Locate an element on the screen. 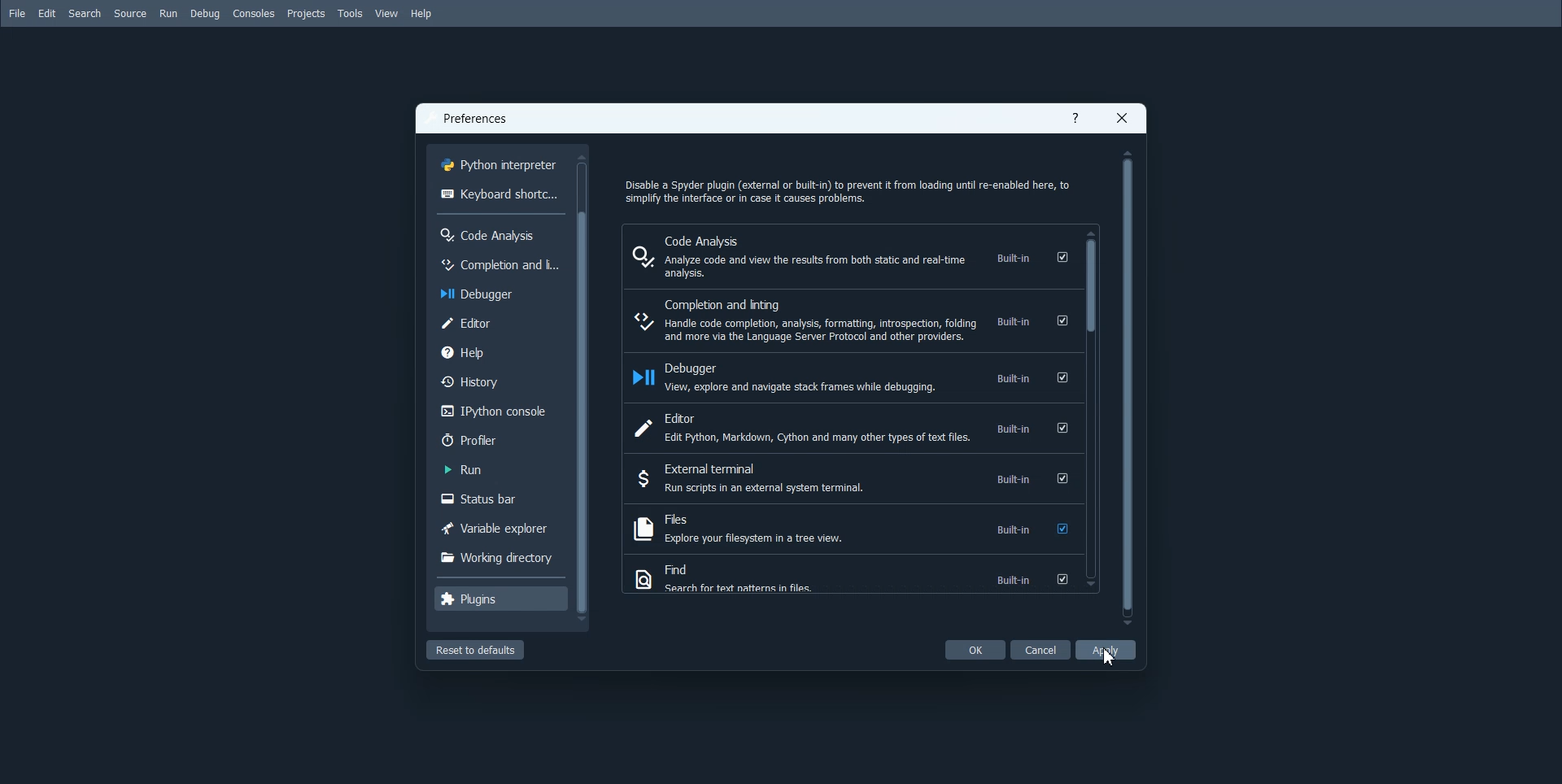 Image resolution: width=1562 pixels, height=784 pixels. Vertical scroll bar is located at coordinates (586, 389).